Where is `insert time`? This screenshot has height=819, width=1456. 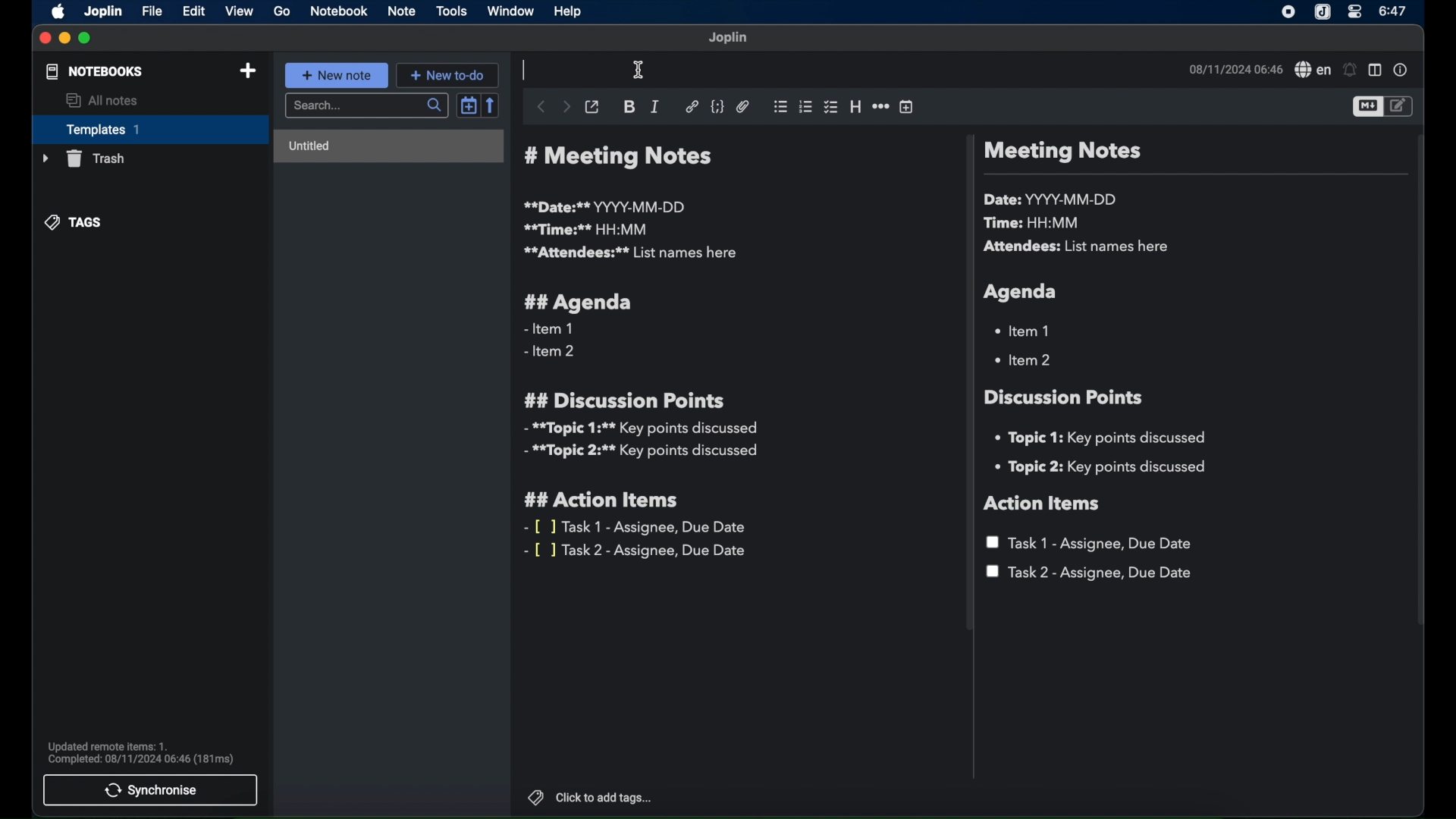
insert time is located at coordinates (906, 107).